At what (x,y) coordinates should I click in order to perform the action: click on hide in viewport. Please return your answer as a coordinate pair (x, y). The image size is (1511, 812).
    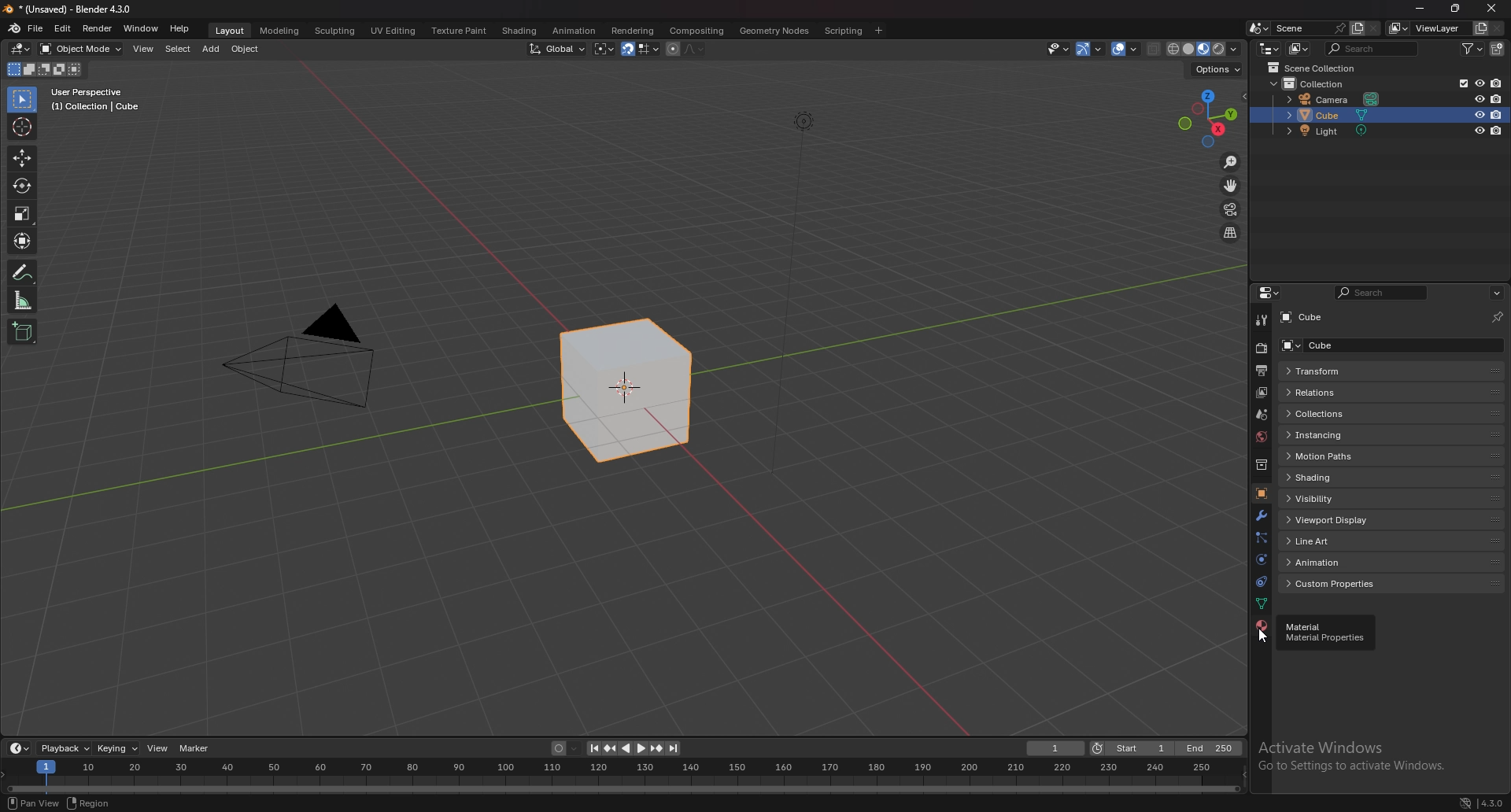
    Looking at the image, I should click on (1480, 130).